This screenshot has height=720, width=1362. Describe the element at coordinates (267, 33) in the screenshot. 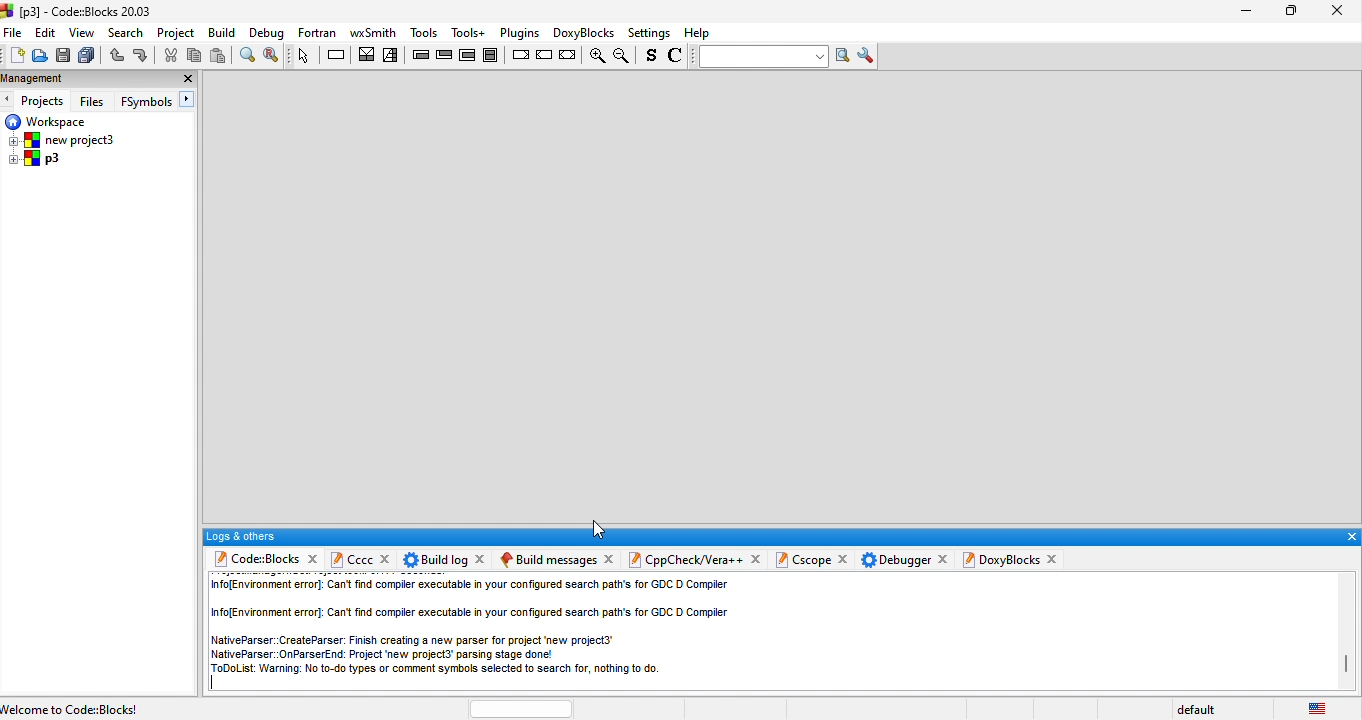

I see `Debug` at that location.